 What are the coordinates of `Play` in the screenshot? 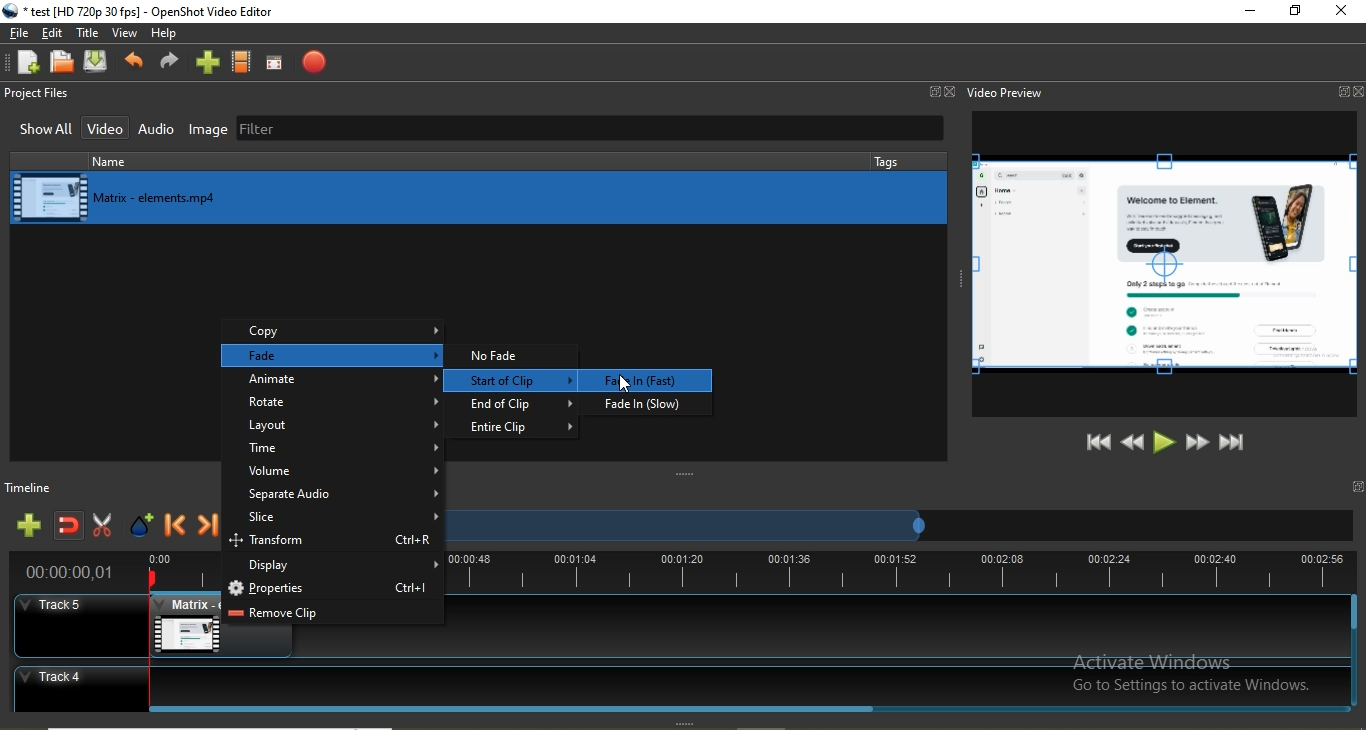 It's located at (1165, 442).